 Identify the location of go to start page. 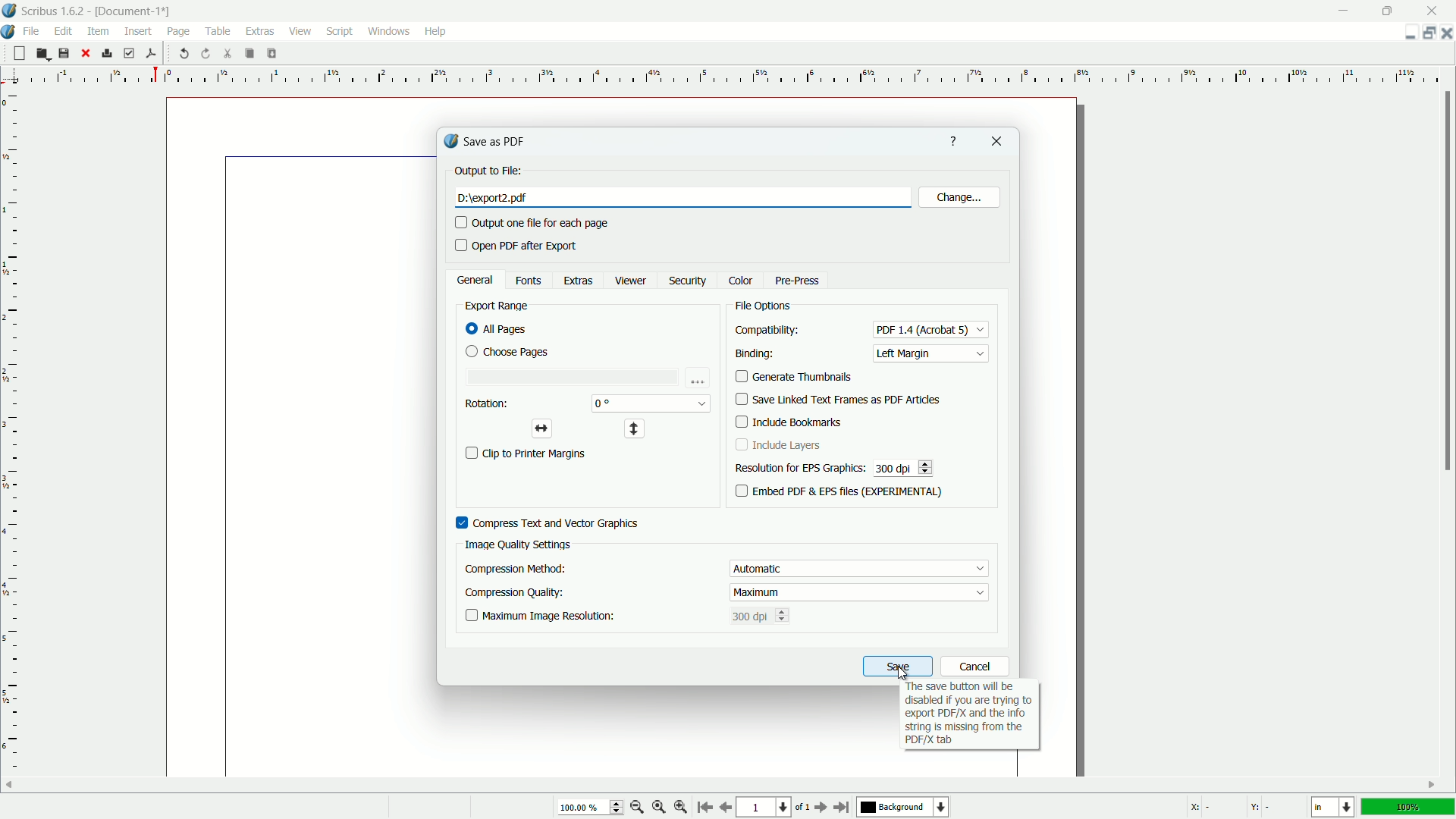
(701, 806).